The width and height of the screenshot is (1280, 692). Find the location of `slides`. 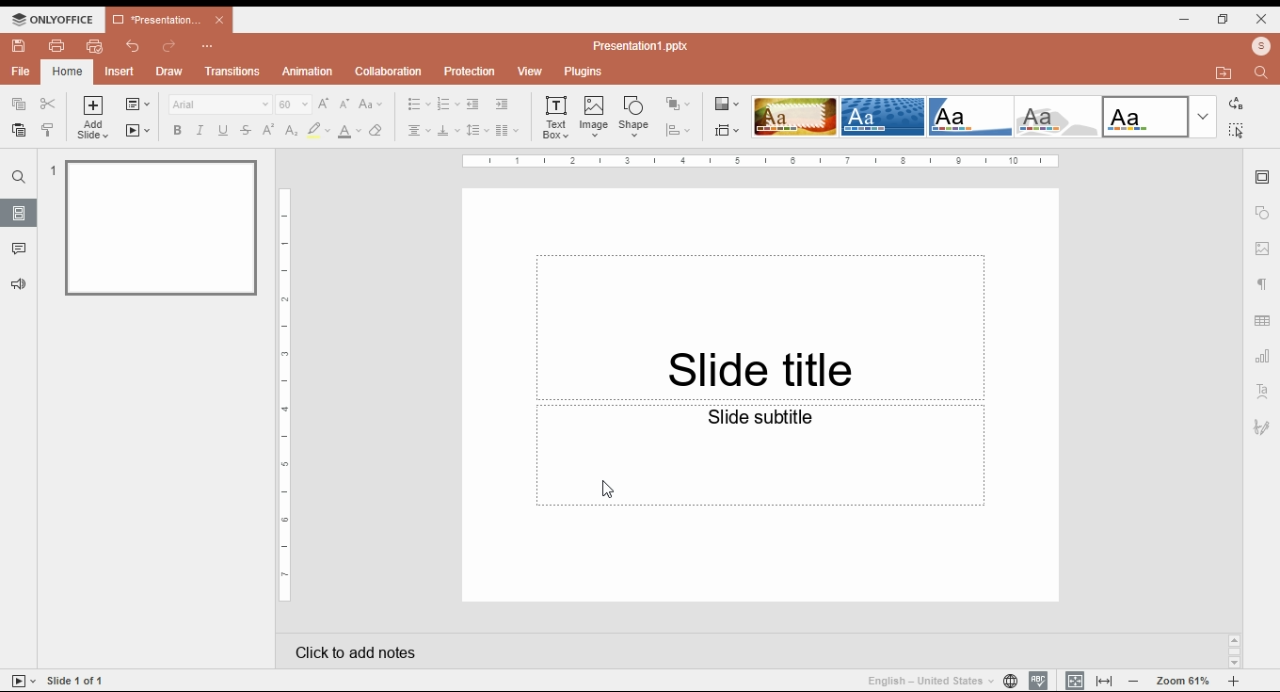

slides is located at coordinates (19, 212).